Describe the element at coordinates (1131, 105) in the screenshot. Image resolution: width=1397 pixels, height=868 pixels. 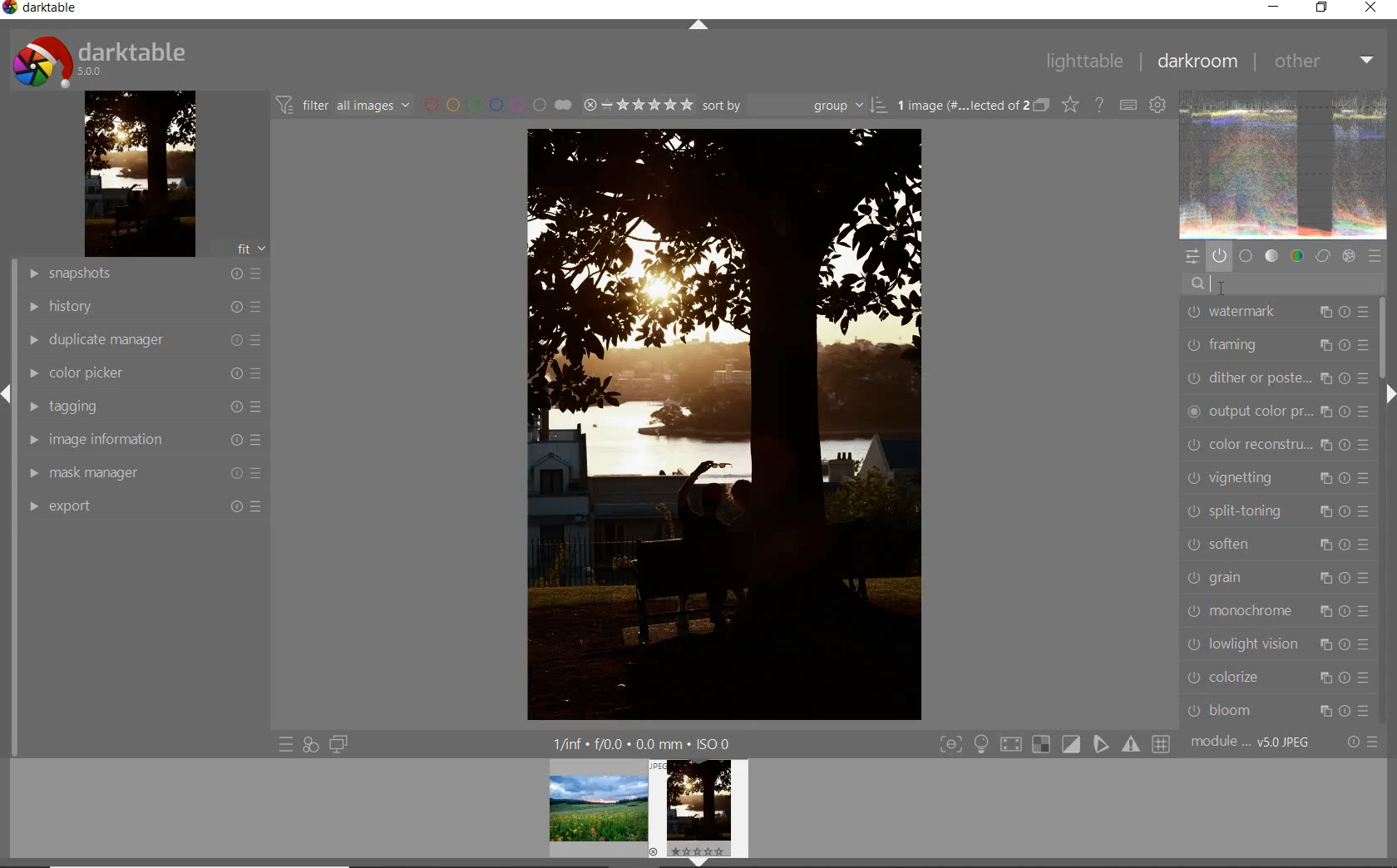
I see `define keyboard shortcuts` at that location.